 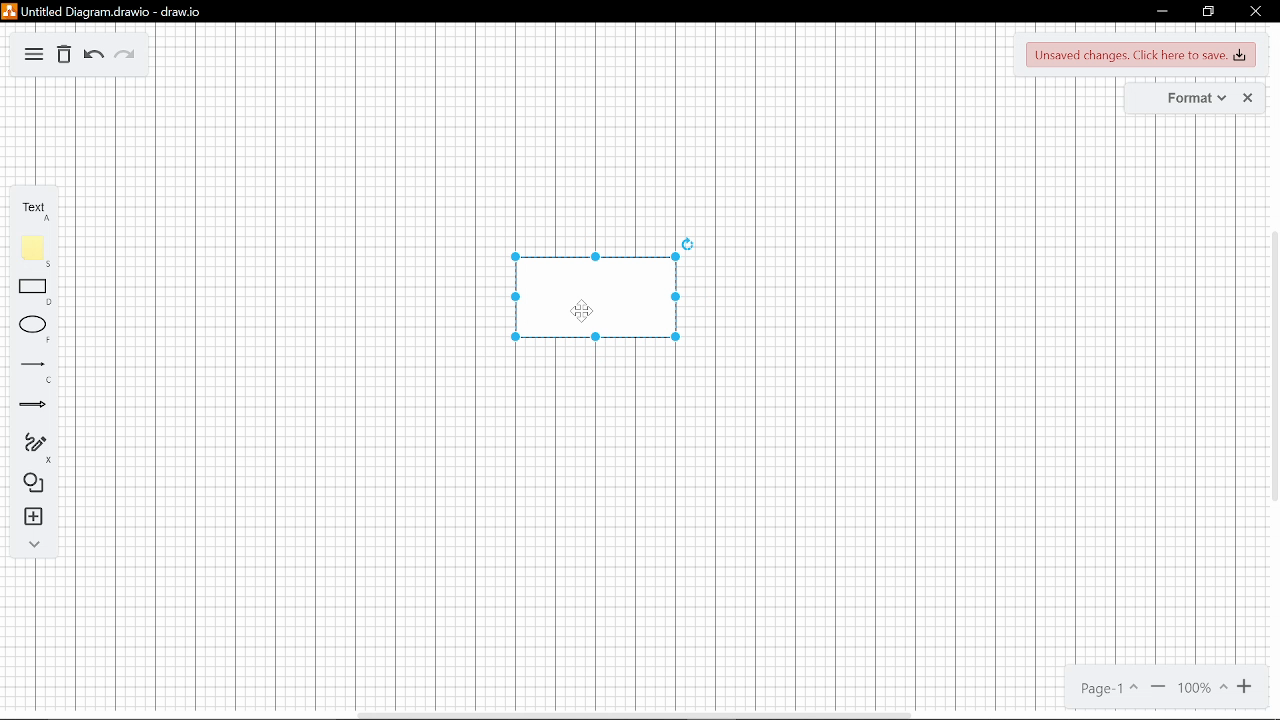 I want to click on Untitled Diagram.drawio-draw.io, so click(x=108, y=14).